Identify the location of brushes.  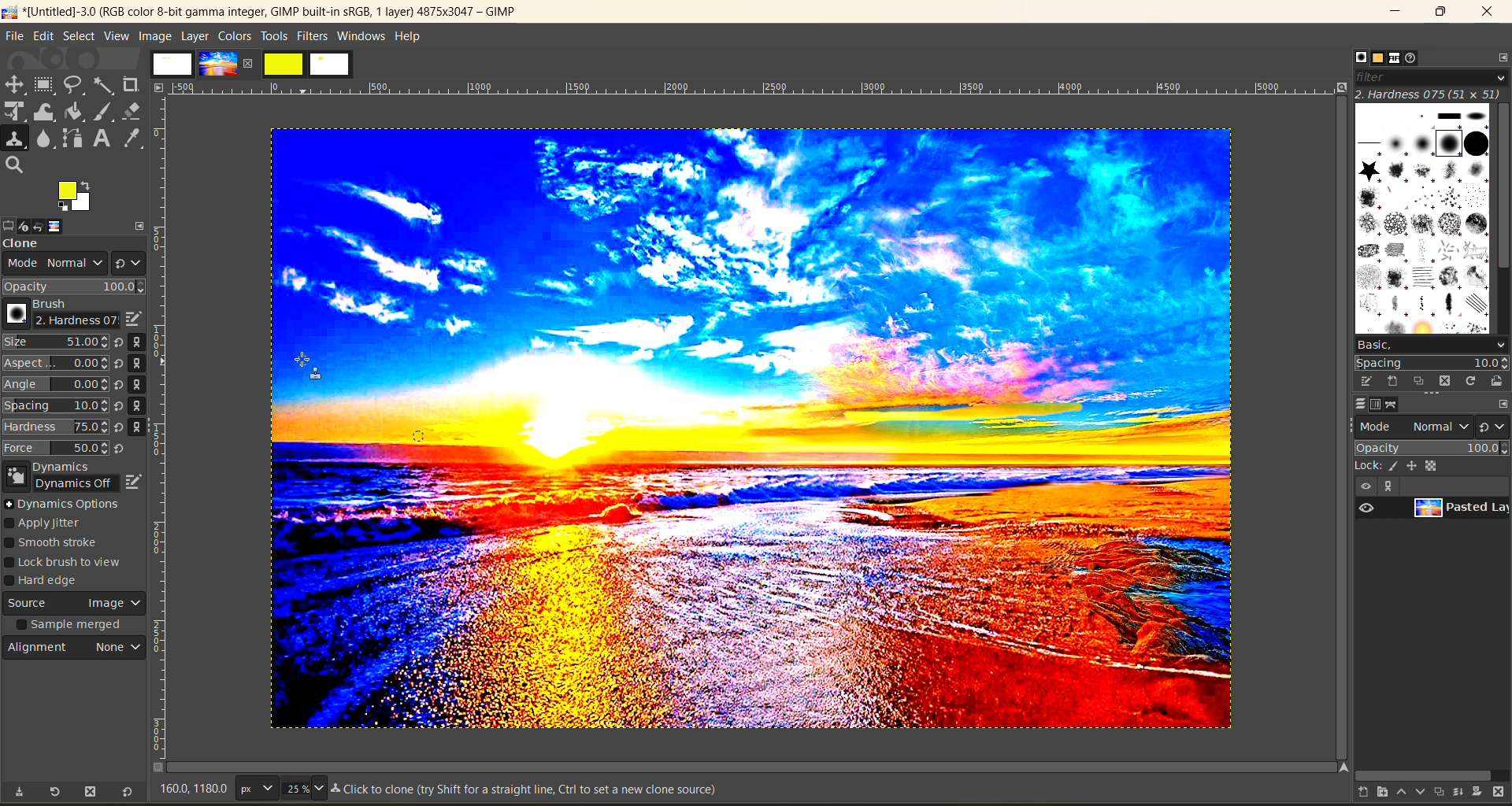
(1421, 217).